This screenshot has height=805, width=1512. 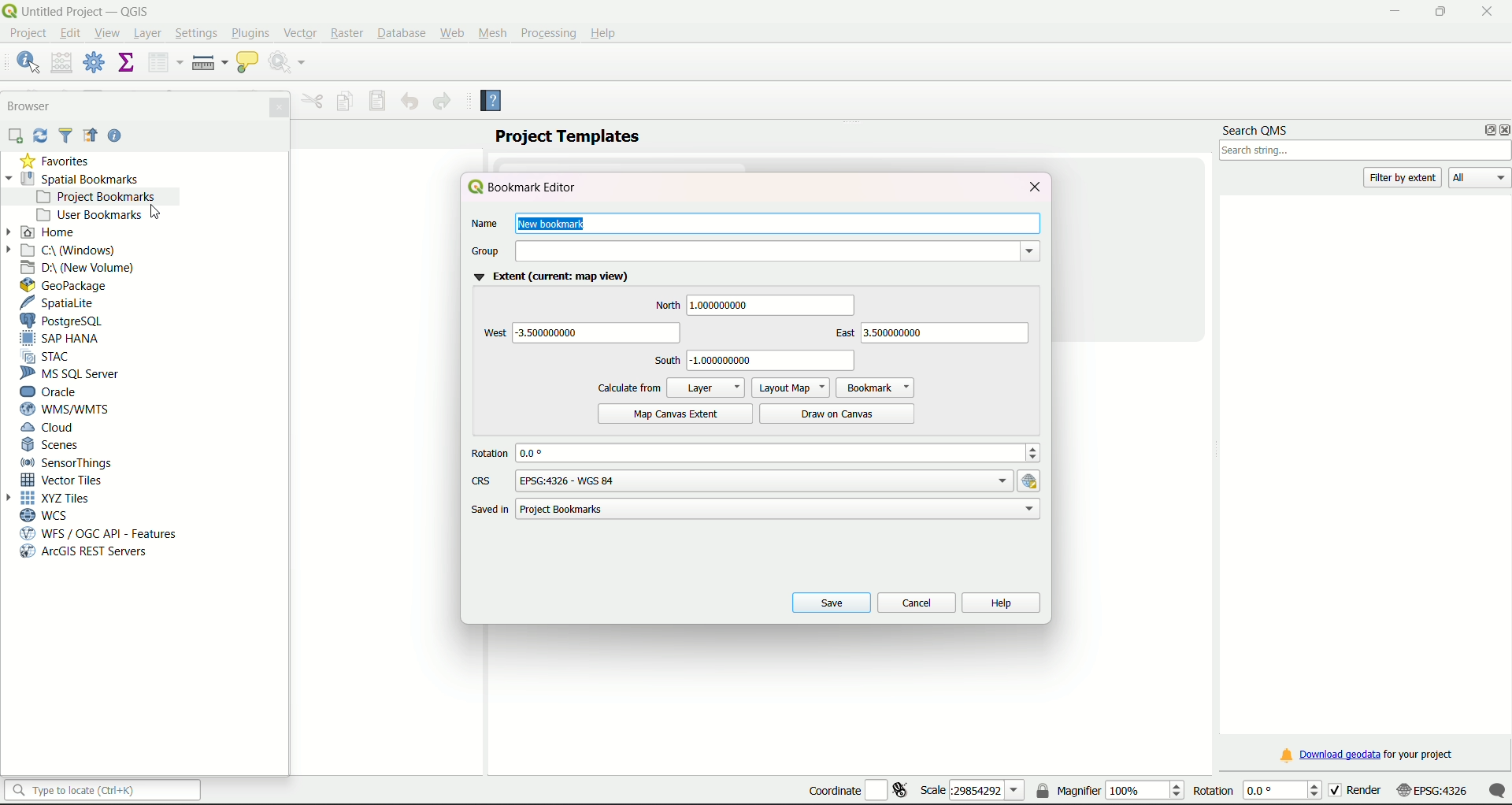 I want to click on Sync, so click(x=41, y=135).